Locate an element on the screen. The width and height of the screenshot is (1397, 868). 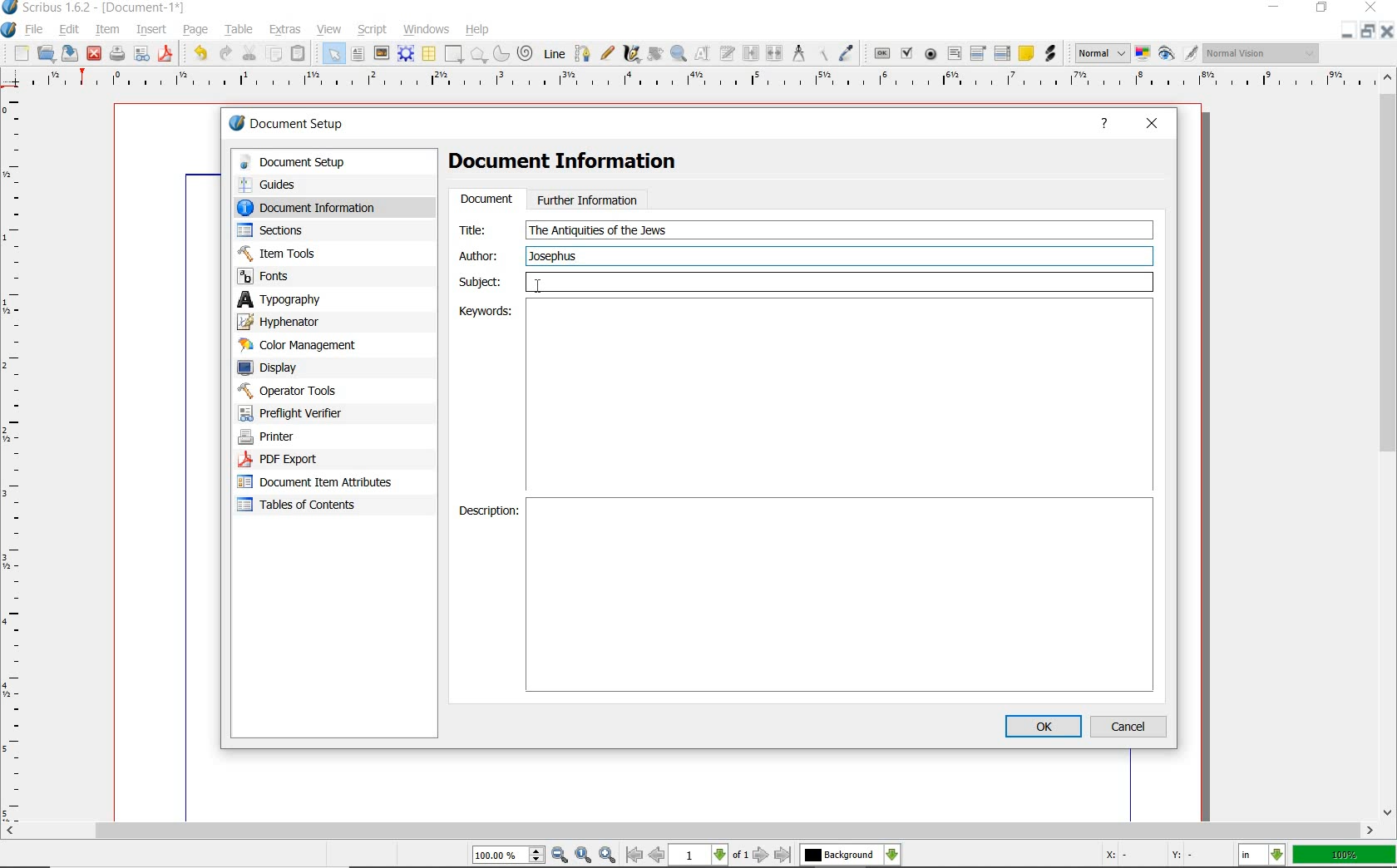
Keywords is located at coordinates (840, 397).